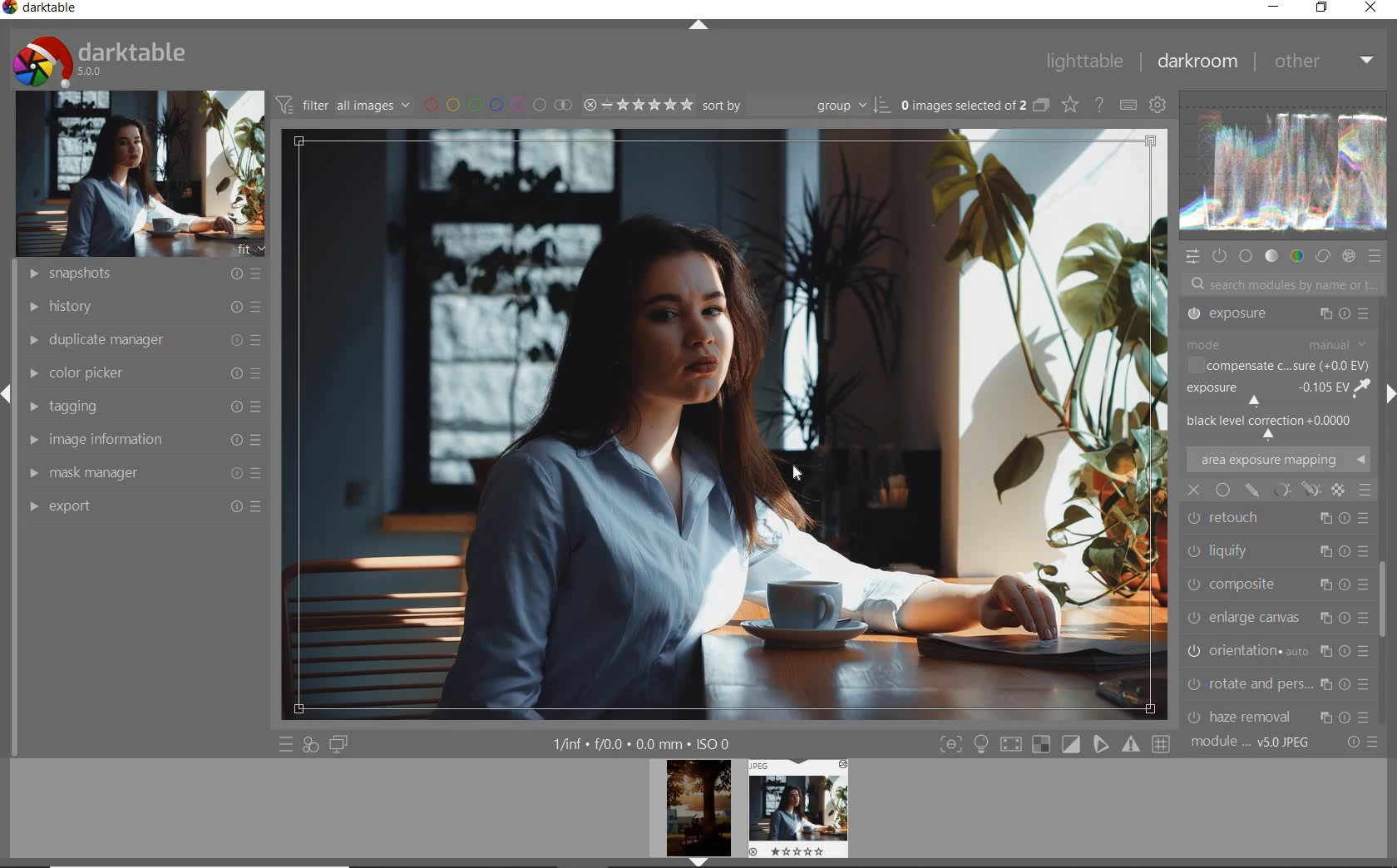 The height and width of the screenshot is (868, 1397). What do you see at coordinates (643, 744) in the screenshot?
I see `OTHER INTERFACE DETAILS` at bounding box center [643, 744].